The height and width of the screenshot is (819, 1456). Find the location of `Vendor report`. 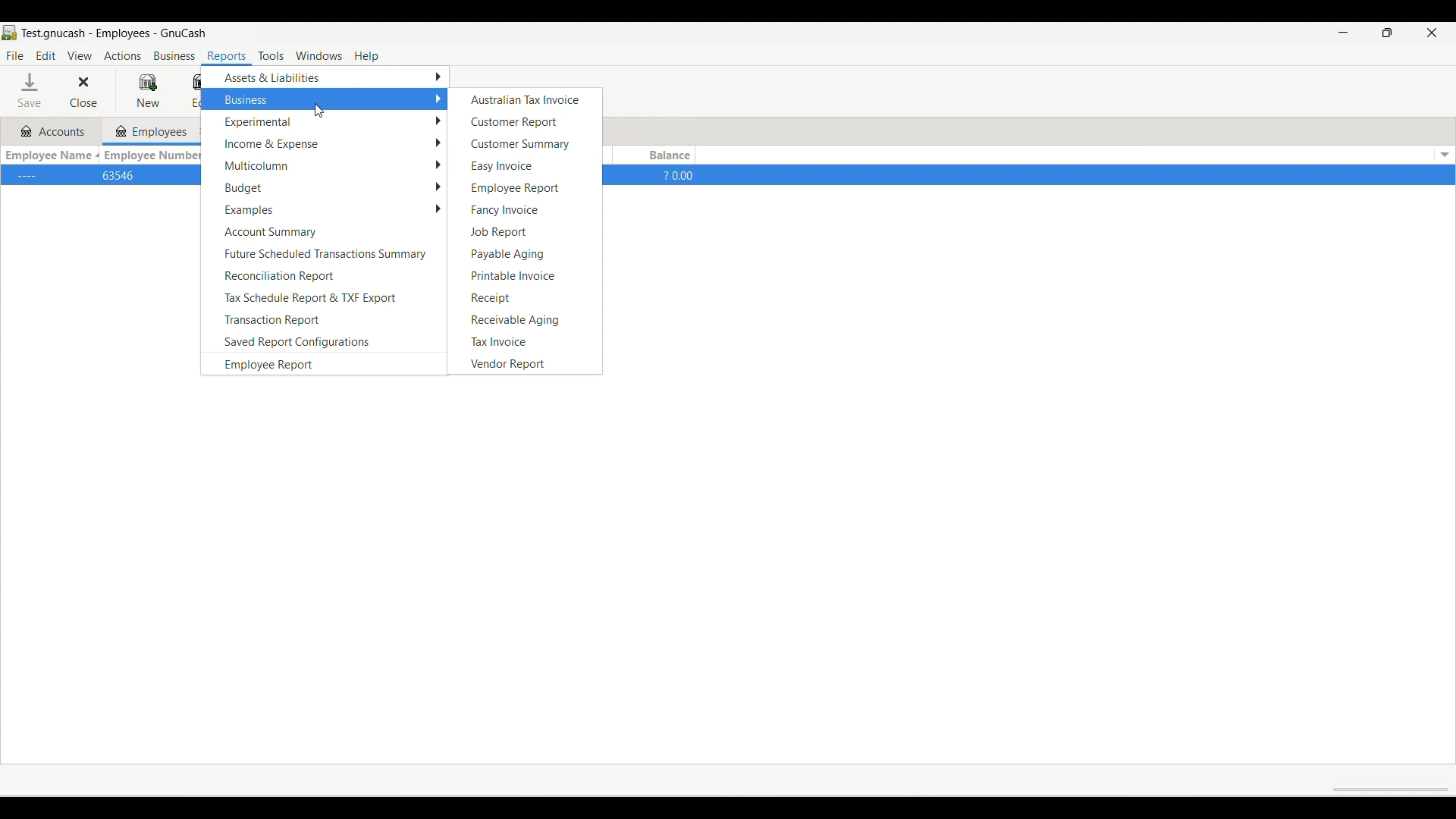

Vendor report is located at coordinates (525, 364).